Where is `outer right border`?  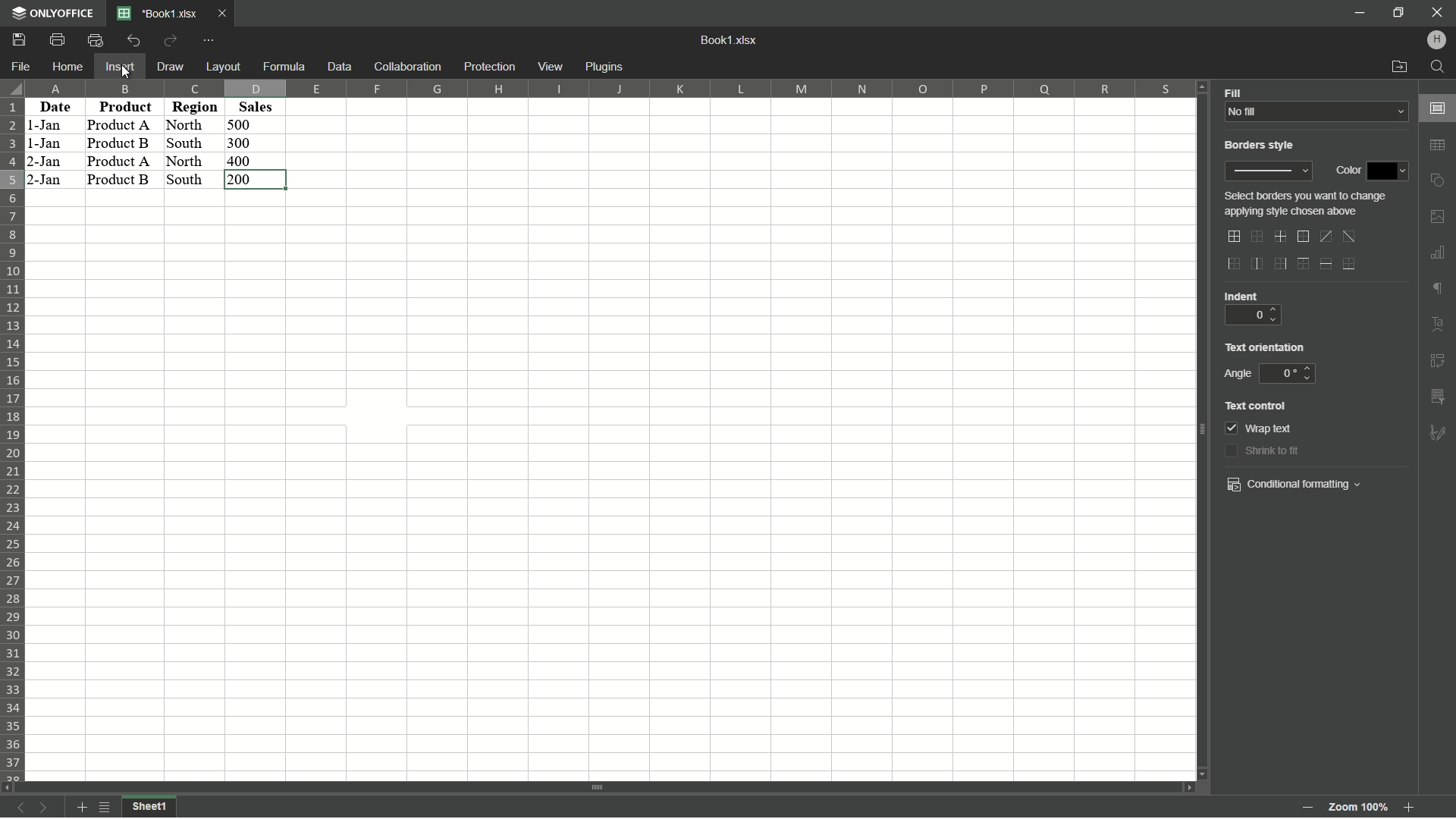
outer right border is located at coordinates (1279, 263).